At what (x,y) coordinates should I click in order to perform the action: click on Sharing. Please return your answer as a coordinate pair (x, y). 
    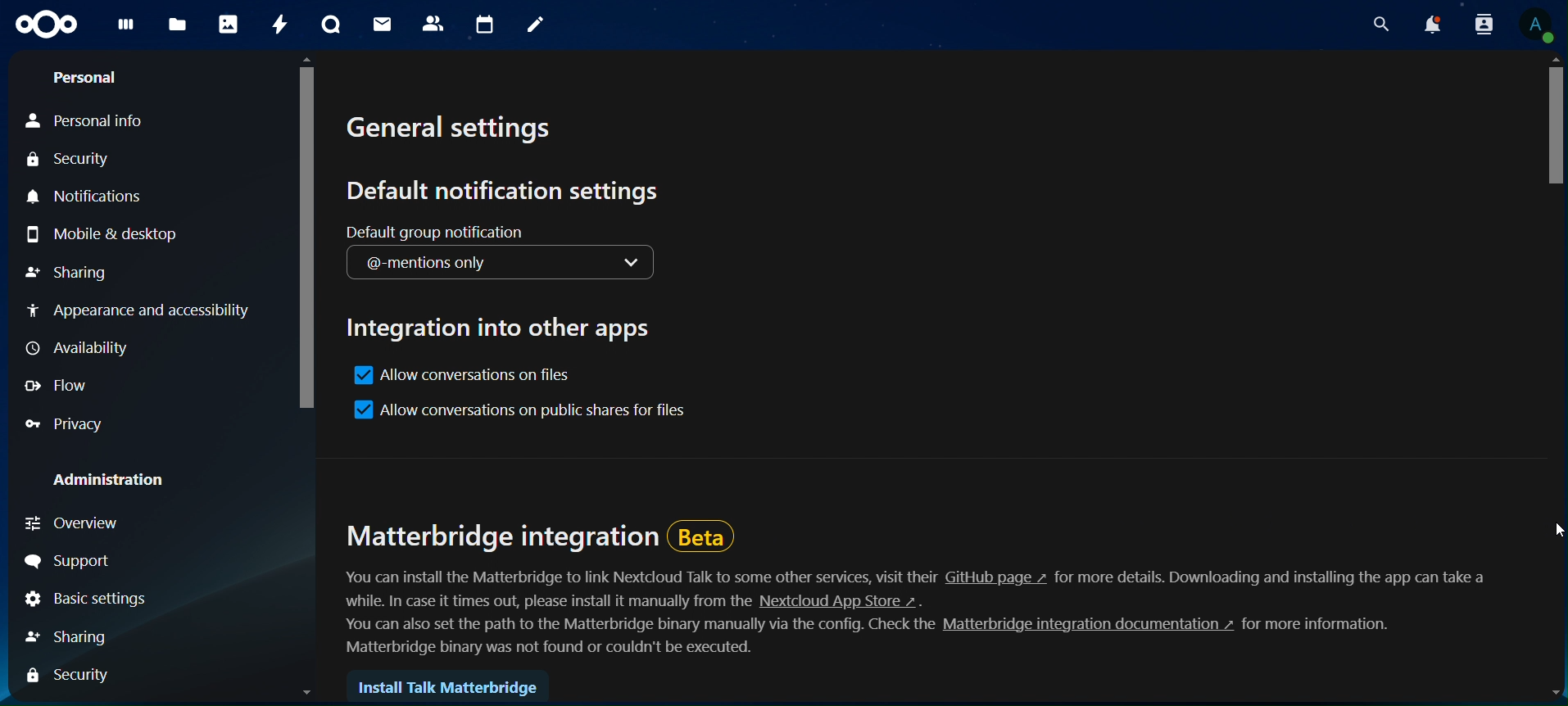
    Looking at the image, I should click on (67, 274).